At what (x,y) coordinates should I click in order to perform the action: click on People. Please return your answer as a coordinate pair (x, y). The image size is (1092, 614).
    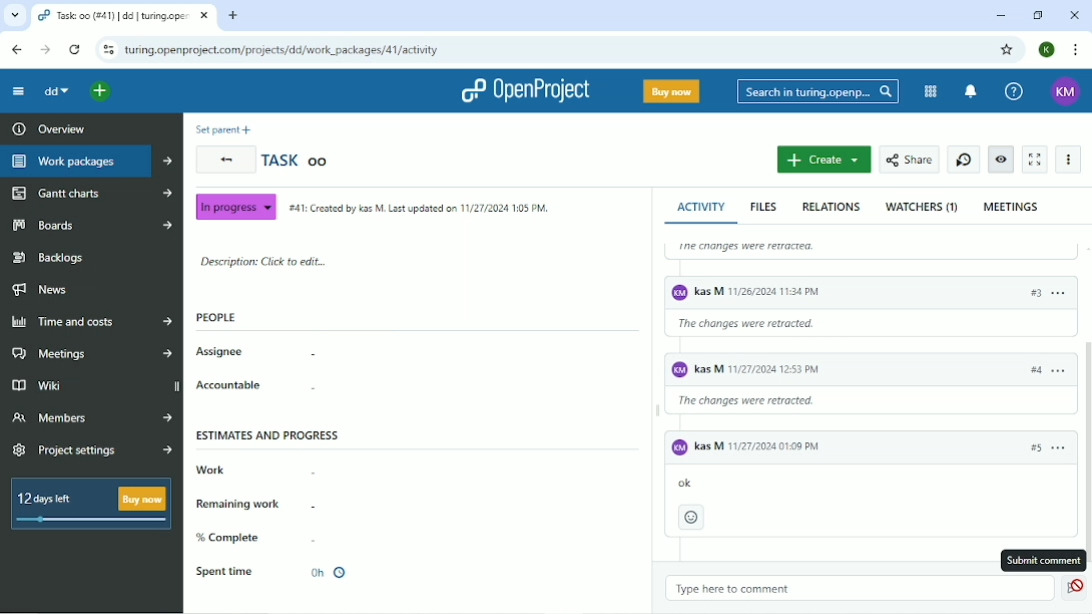
    Looking at the image, I should click on (216, 317).